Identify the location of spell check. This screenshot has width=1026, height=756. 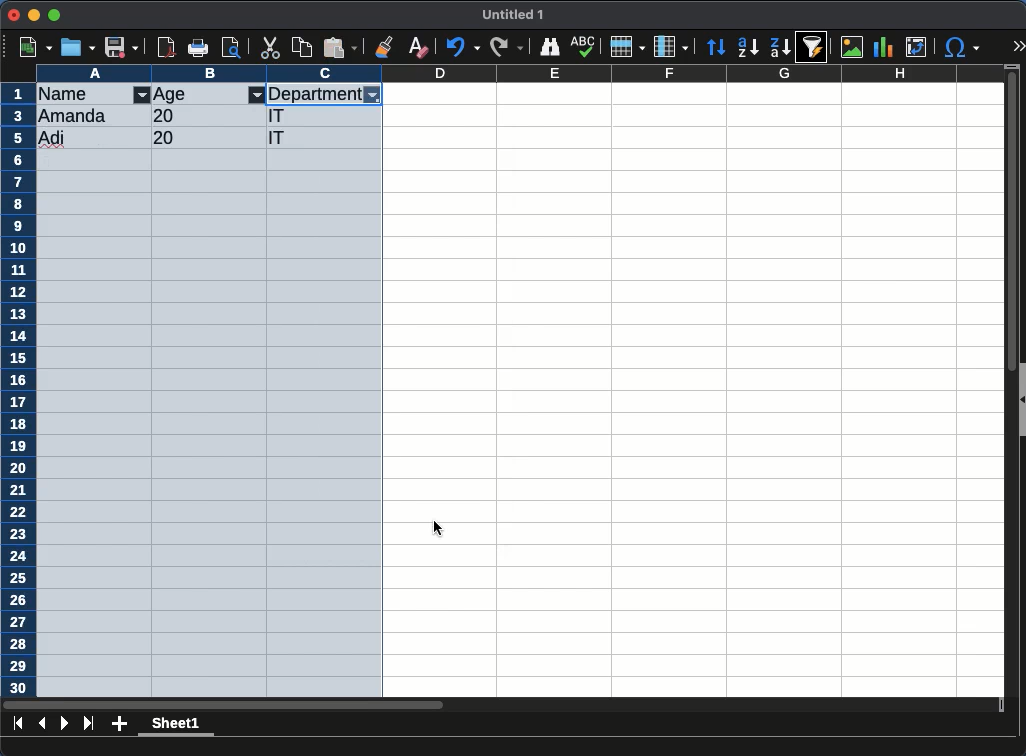
(584, 44).